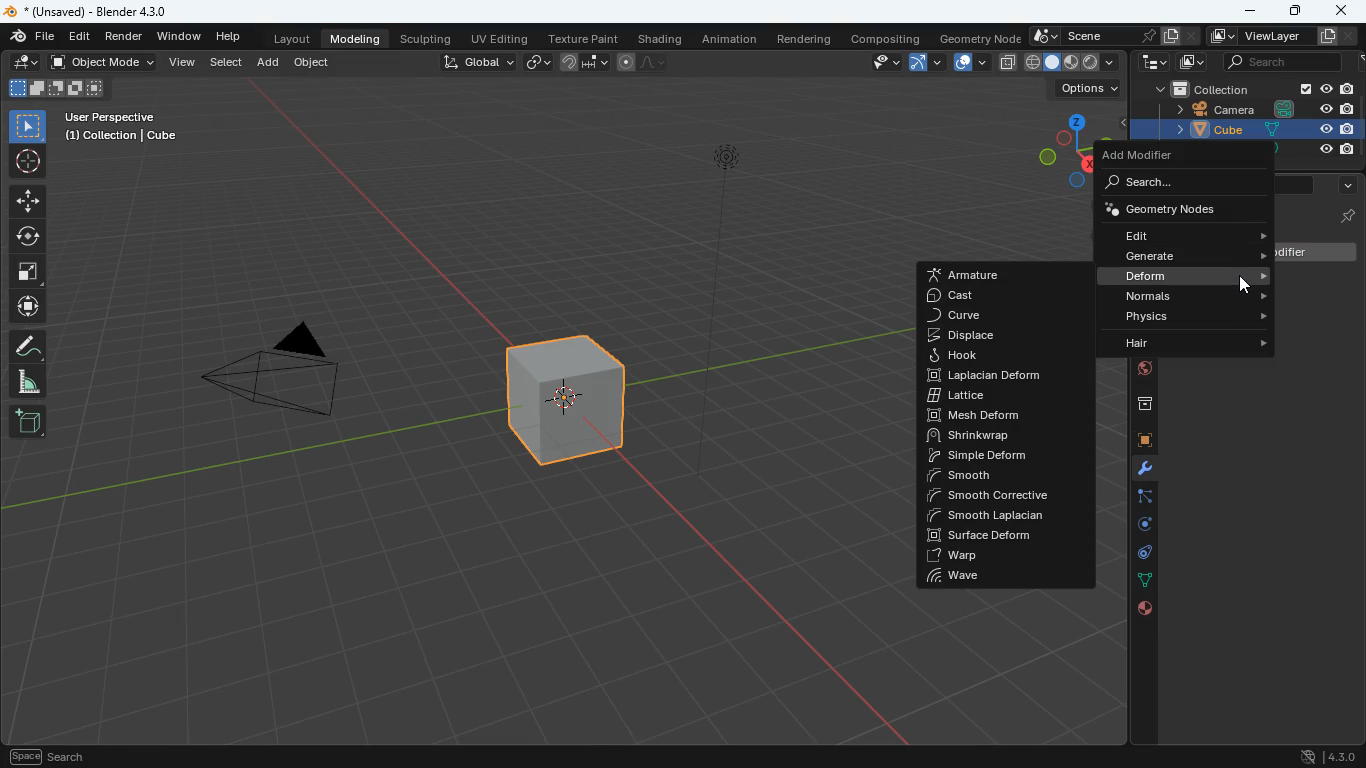  Describe the element at coordinates (925, 65) in the screenshot. I see `arc` at that location.